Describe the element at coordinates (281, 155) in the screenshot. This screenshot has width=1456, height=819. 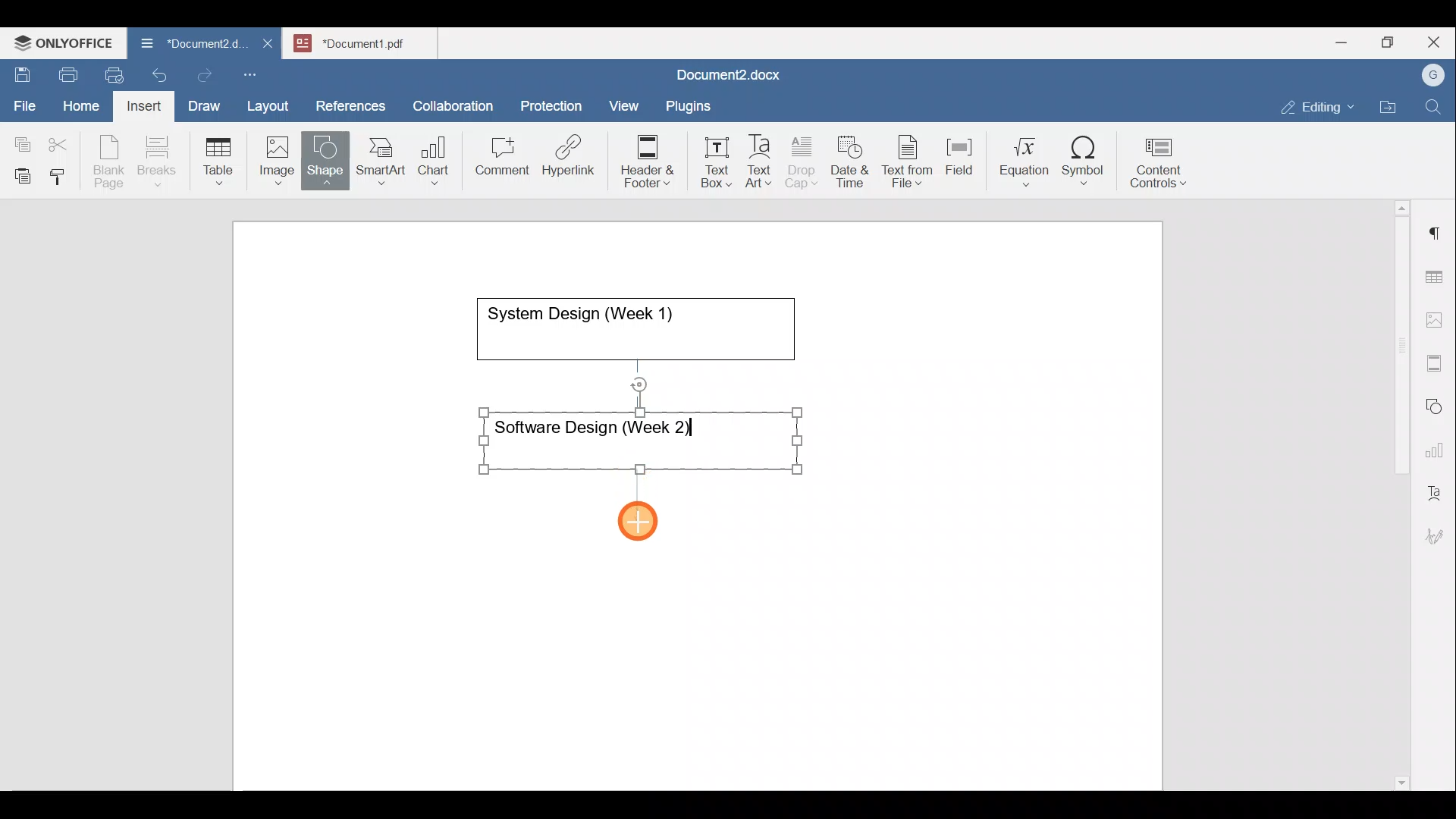
I see `Image` at that location.